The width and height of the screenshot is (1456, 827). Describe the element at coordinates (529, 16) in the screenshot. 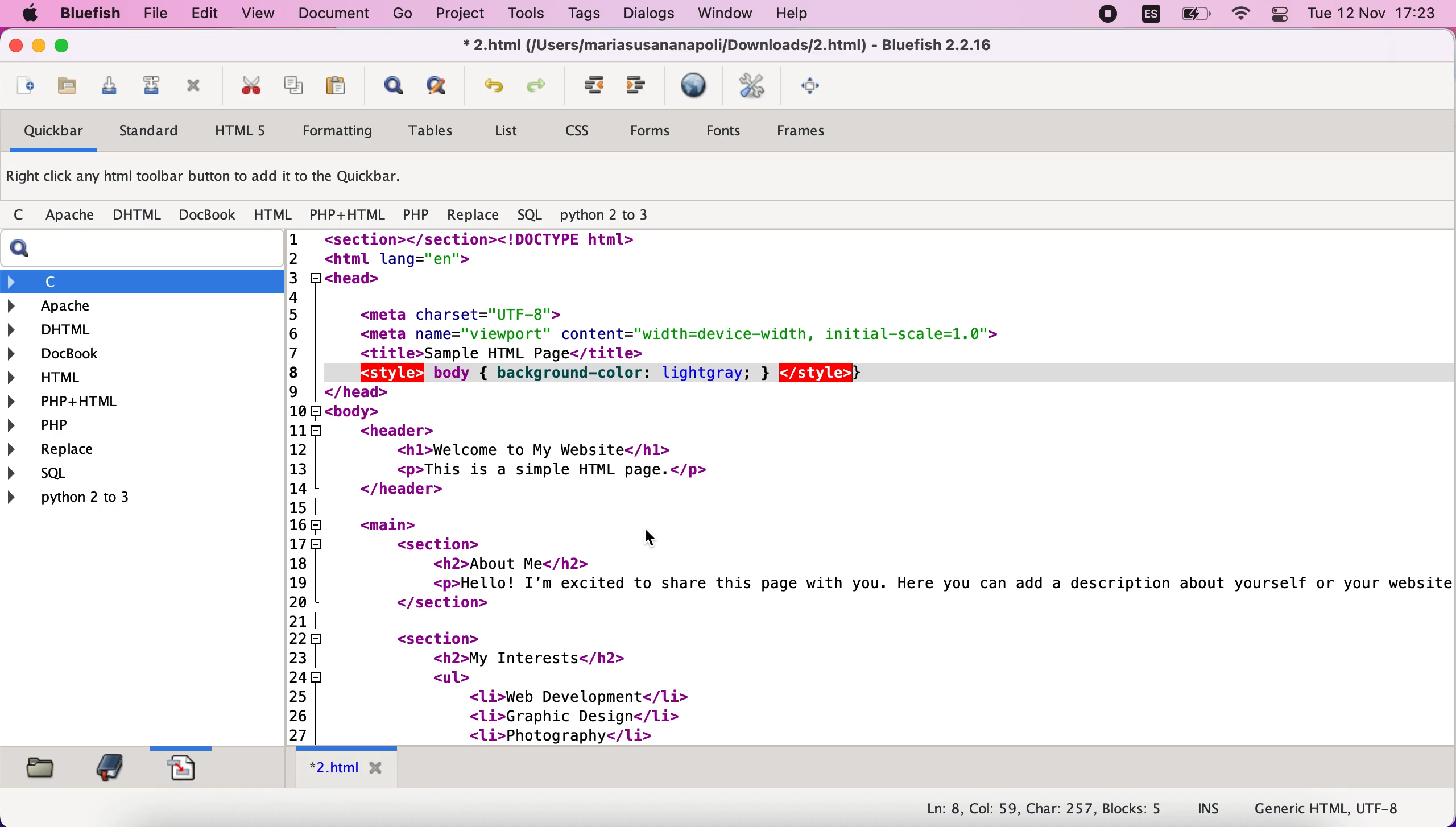

I see `tools` at that location.